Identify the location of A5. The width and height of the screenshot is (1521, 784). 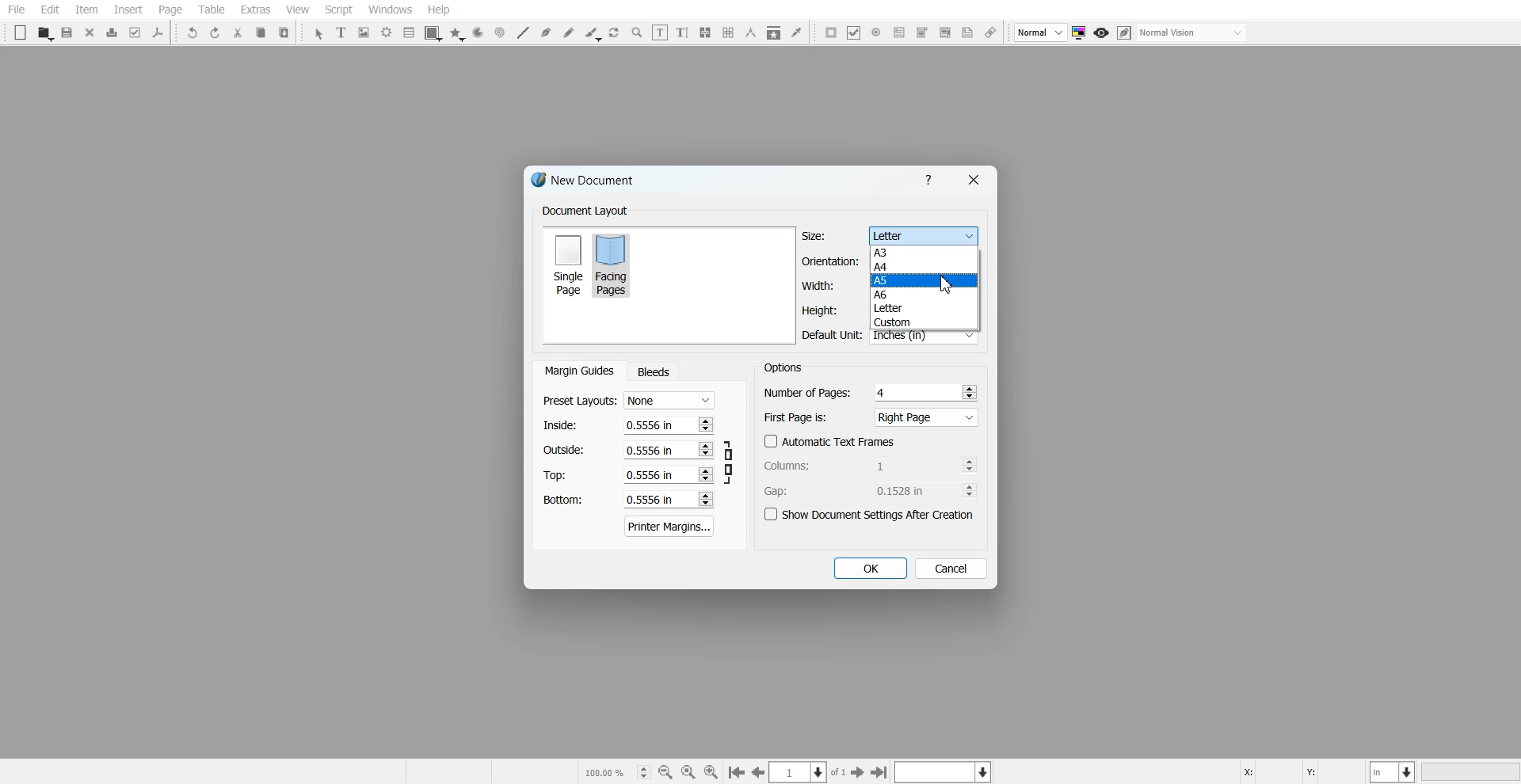
(924, 281).